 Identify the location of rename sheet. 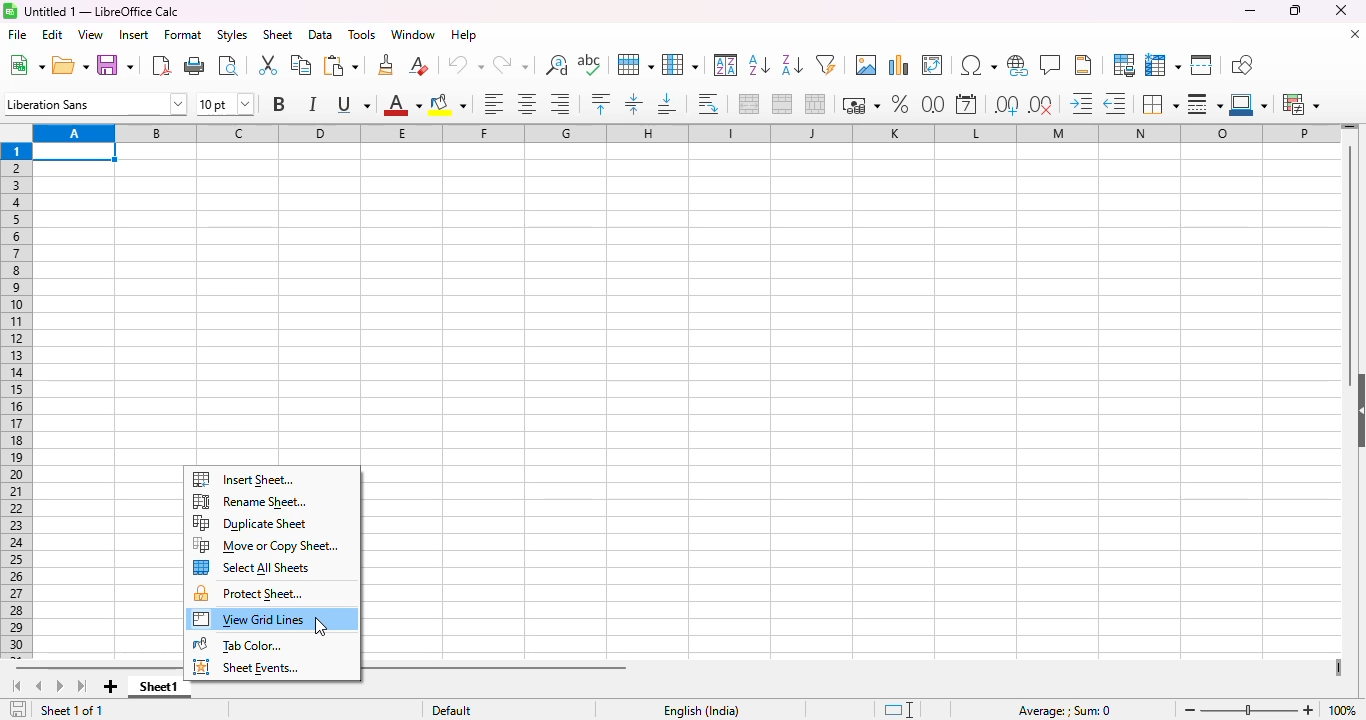
(251, 502).